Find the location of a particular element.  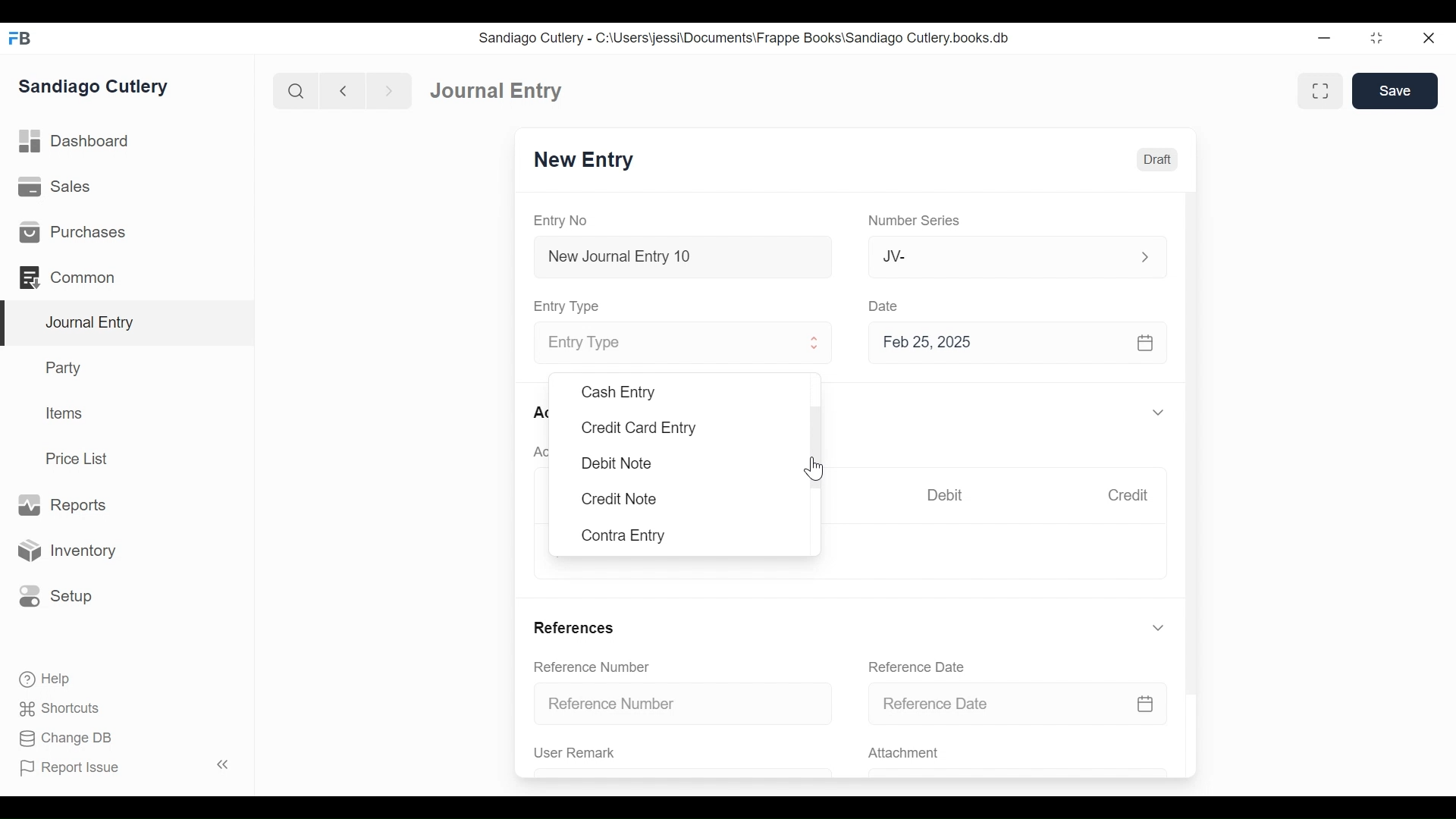

Reference Date is located at coordinates (921, 667).